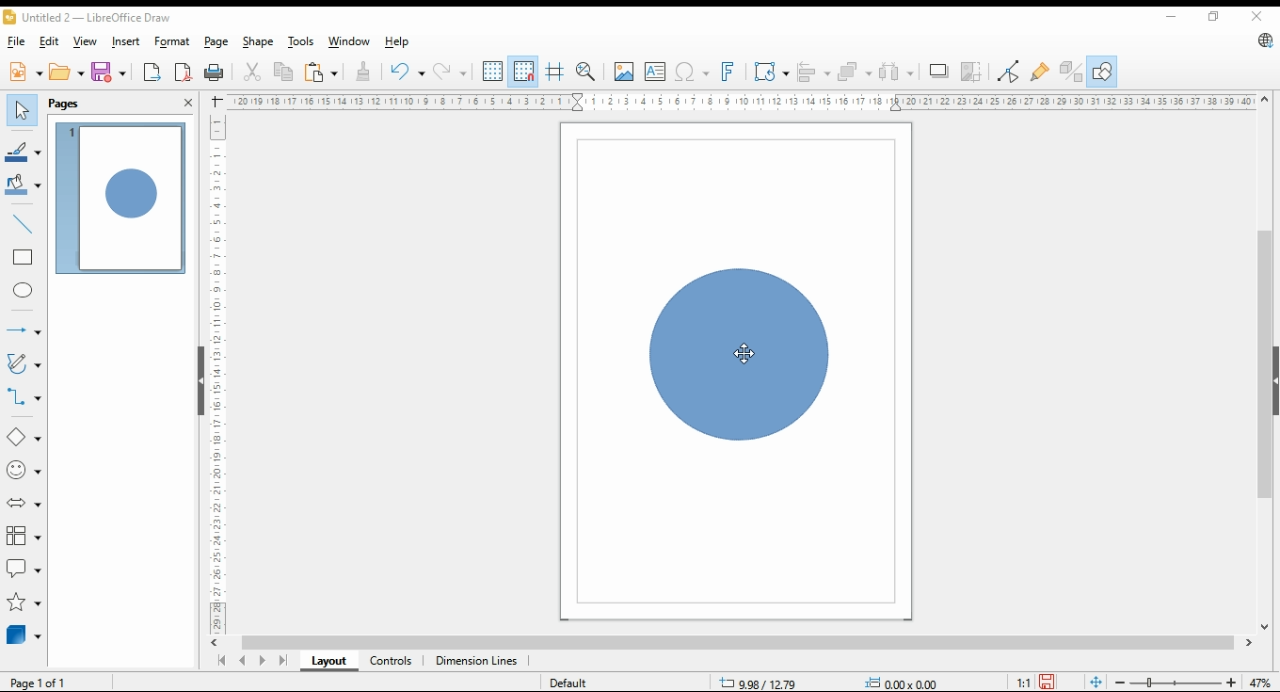 The image size is (1280, 692). What do you see at coordinates (727, 643) in the screenshot?
I see `scroll bar` at bounding box center [727, 643].